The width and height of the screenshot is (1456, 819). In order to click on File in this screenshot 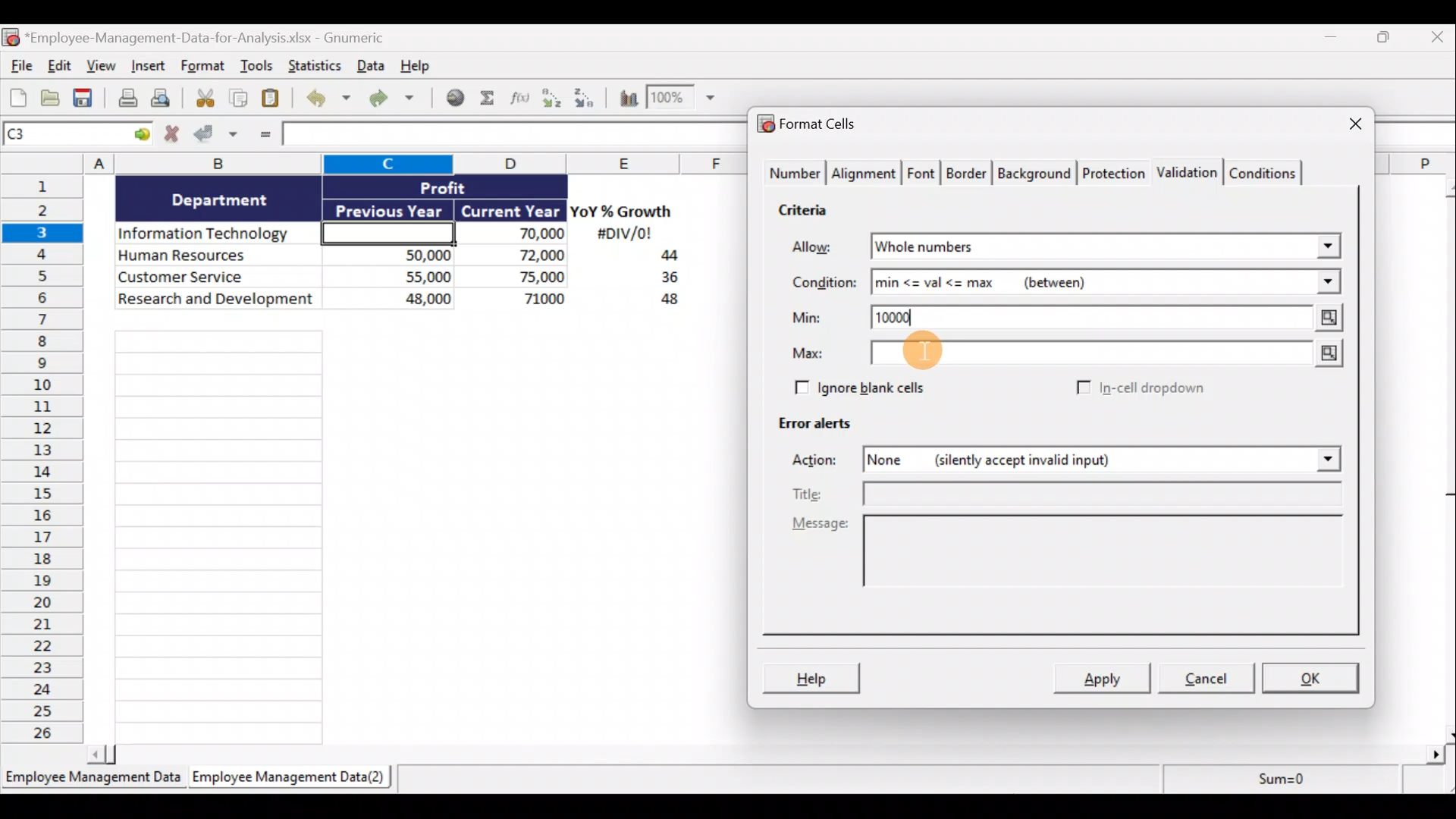, I will do `click(18, 67)`.